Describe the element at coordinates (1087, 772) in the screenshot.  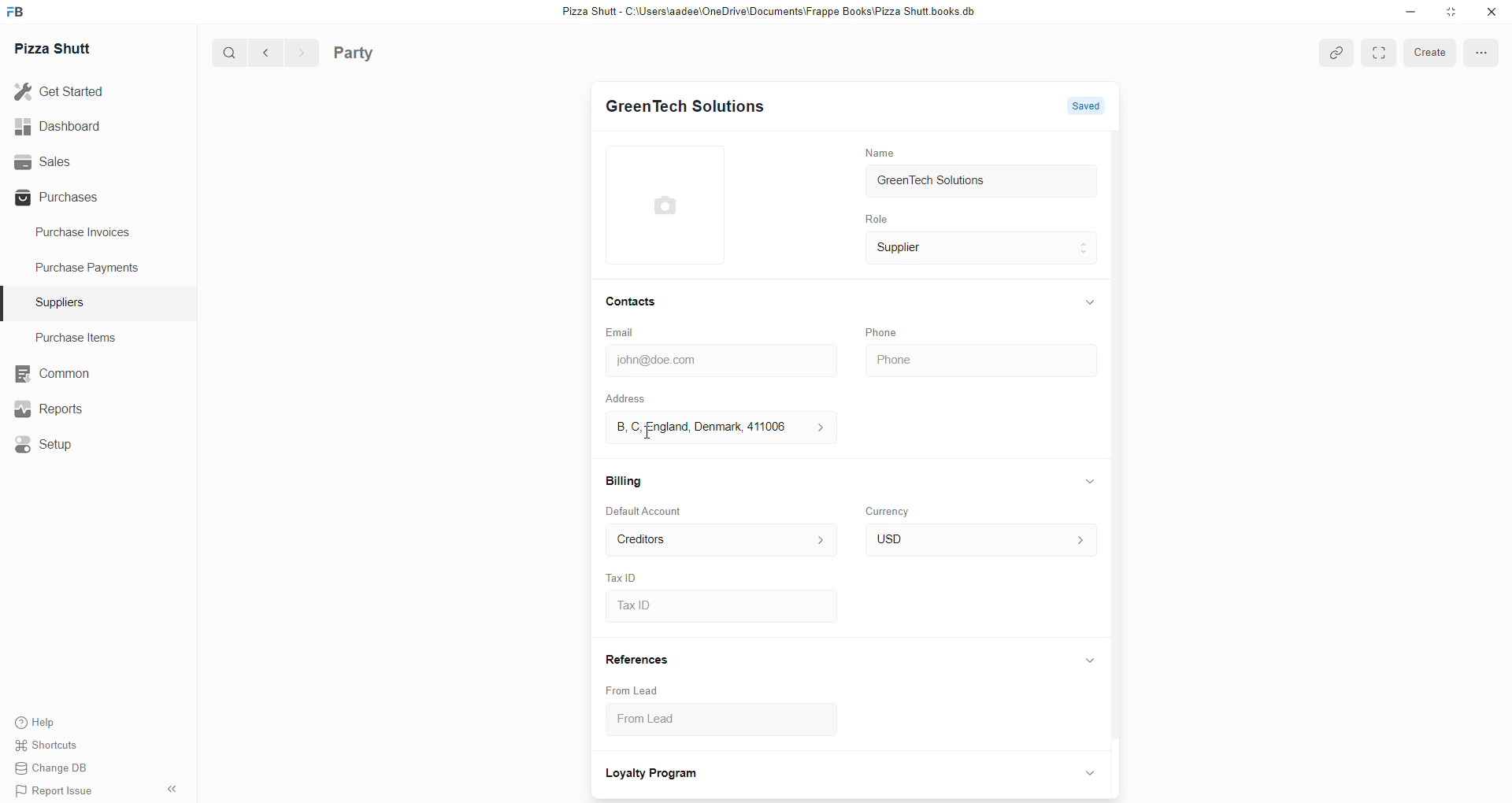
I see `hide` at that location.